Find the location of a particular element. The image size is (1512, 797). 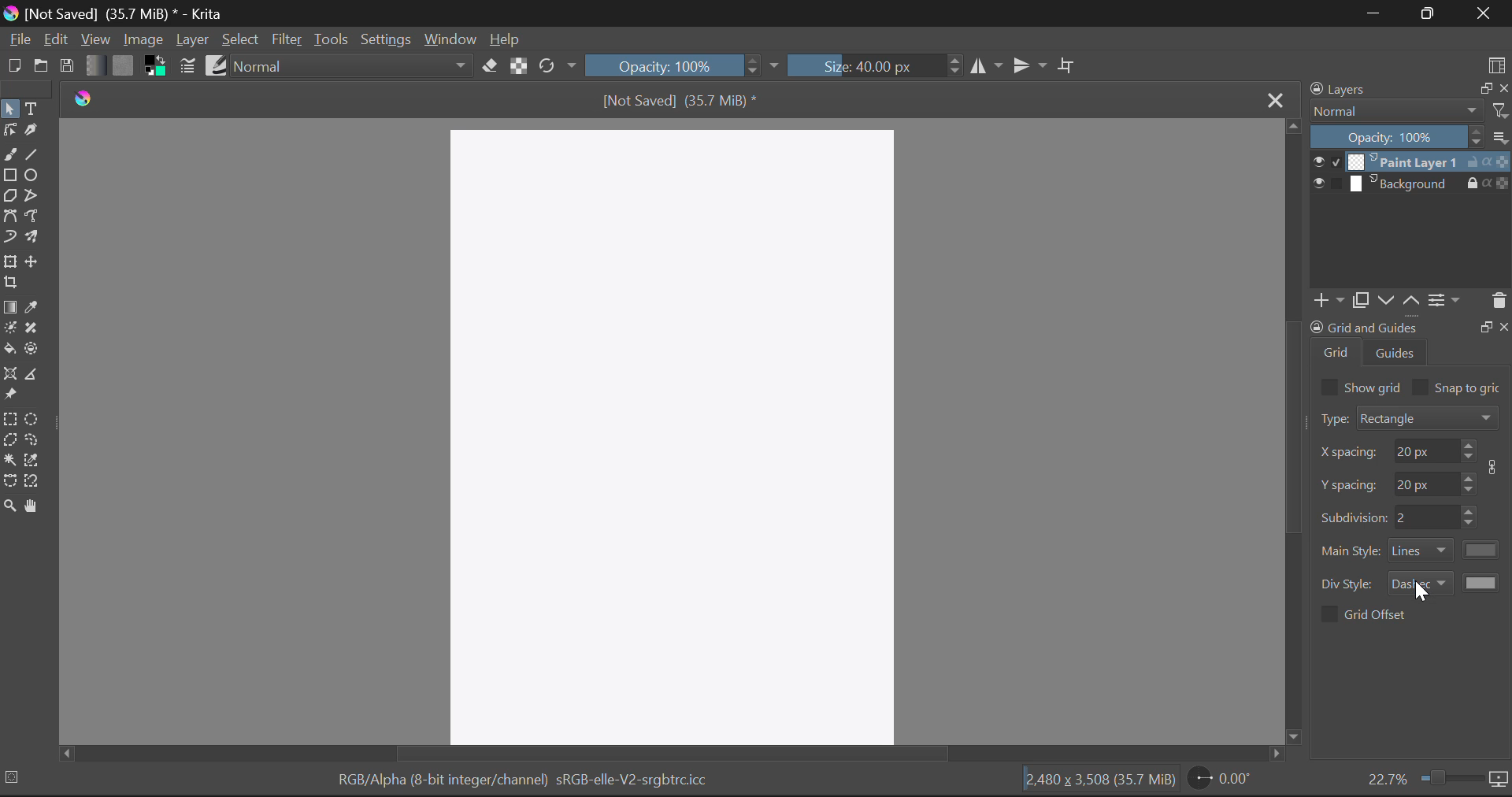

grid and guide is located at coordinates (1363, 327).